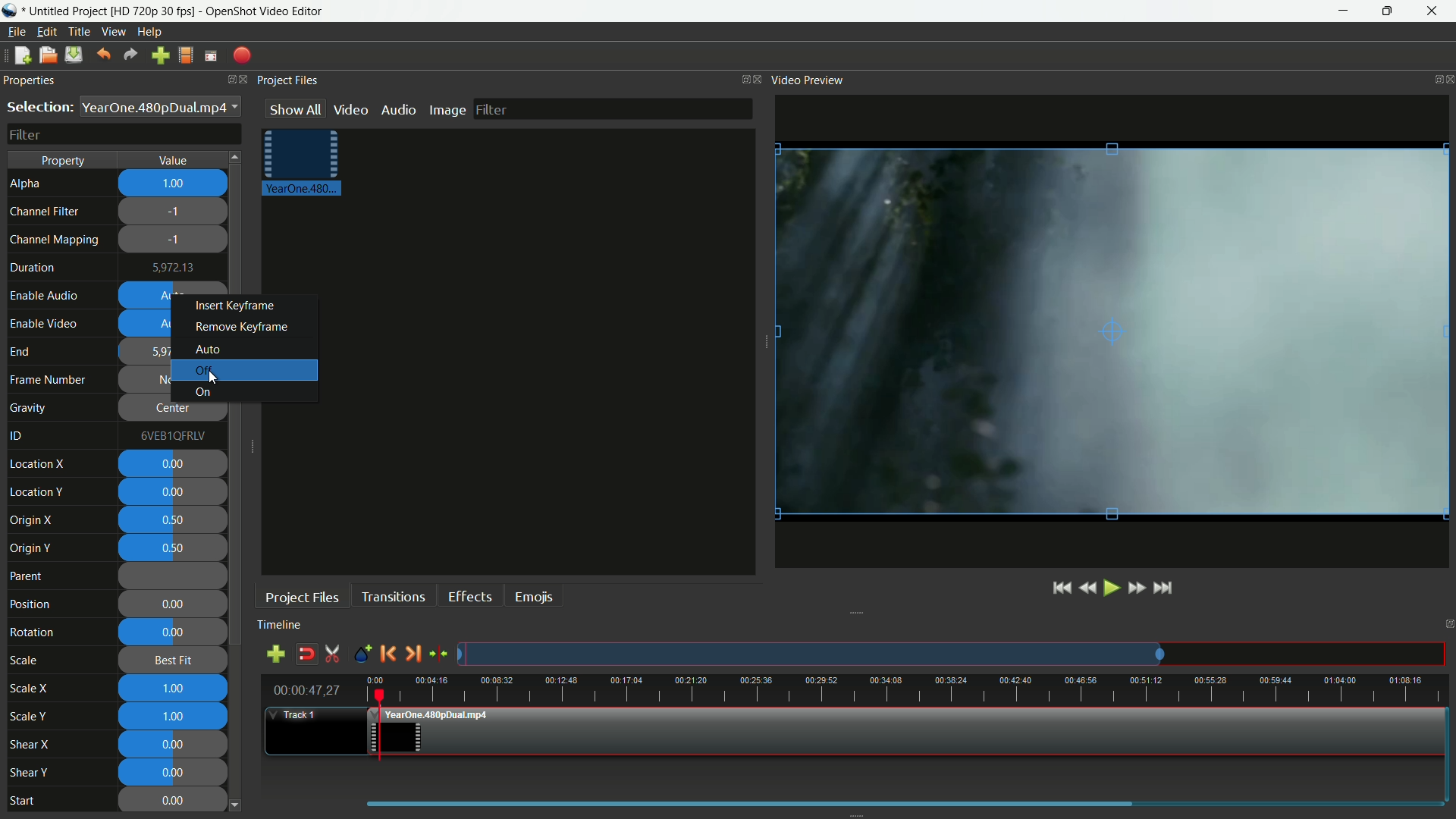 The width and height of the screenshot is (1456, 819). I want to click on close properties, so click(239, 79).